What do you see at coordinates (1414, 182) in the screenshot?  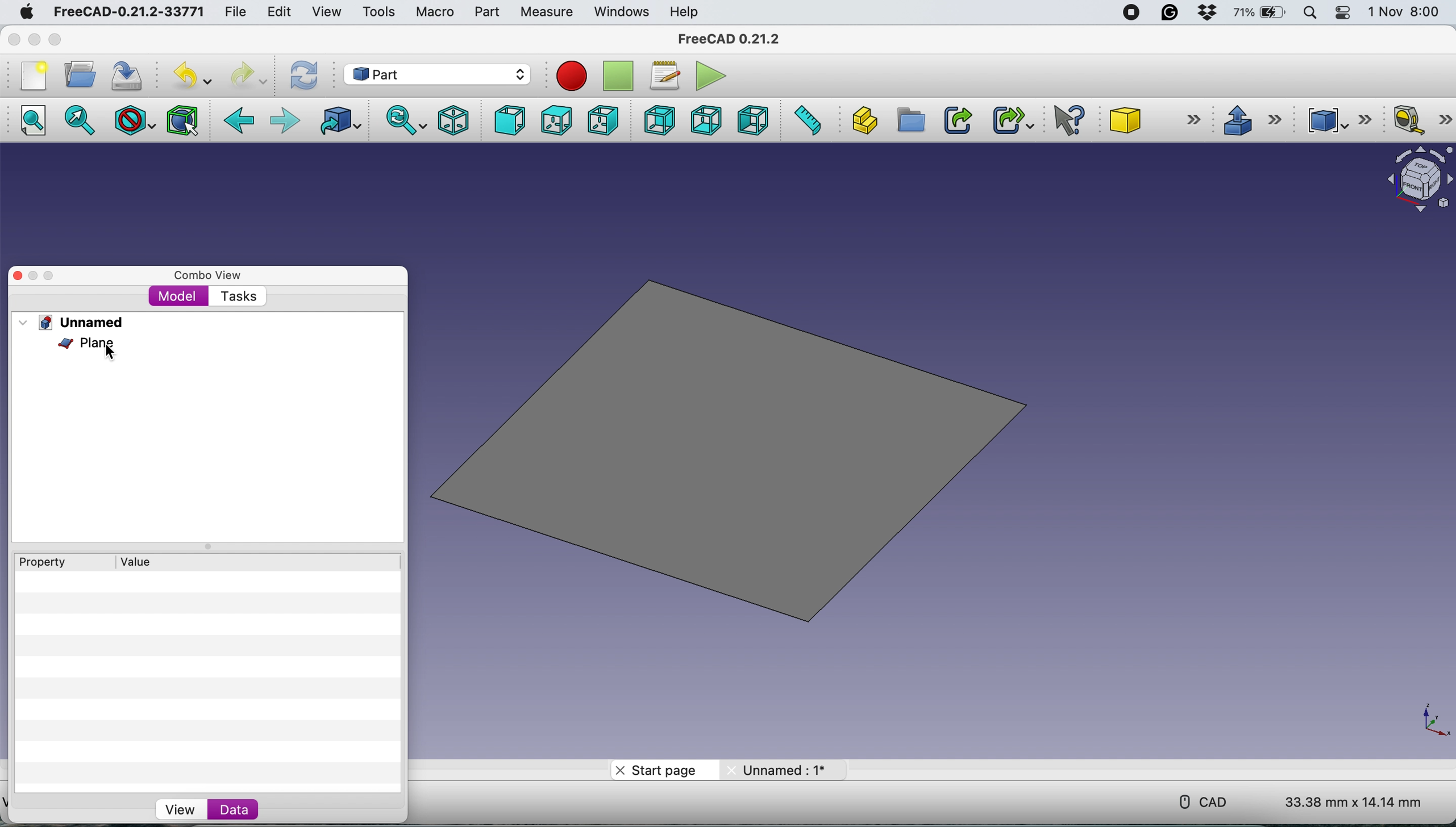 I see `object interface` at bounding box center [1414, 182].